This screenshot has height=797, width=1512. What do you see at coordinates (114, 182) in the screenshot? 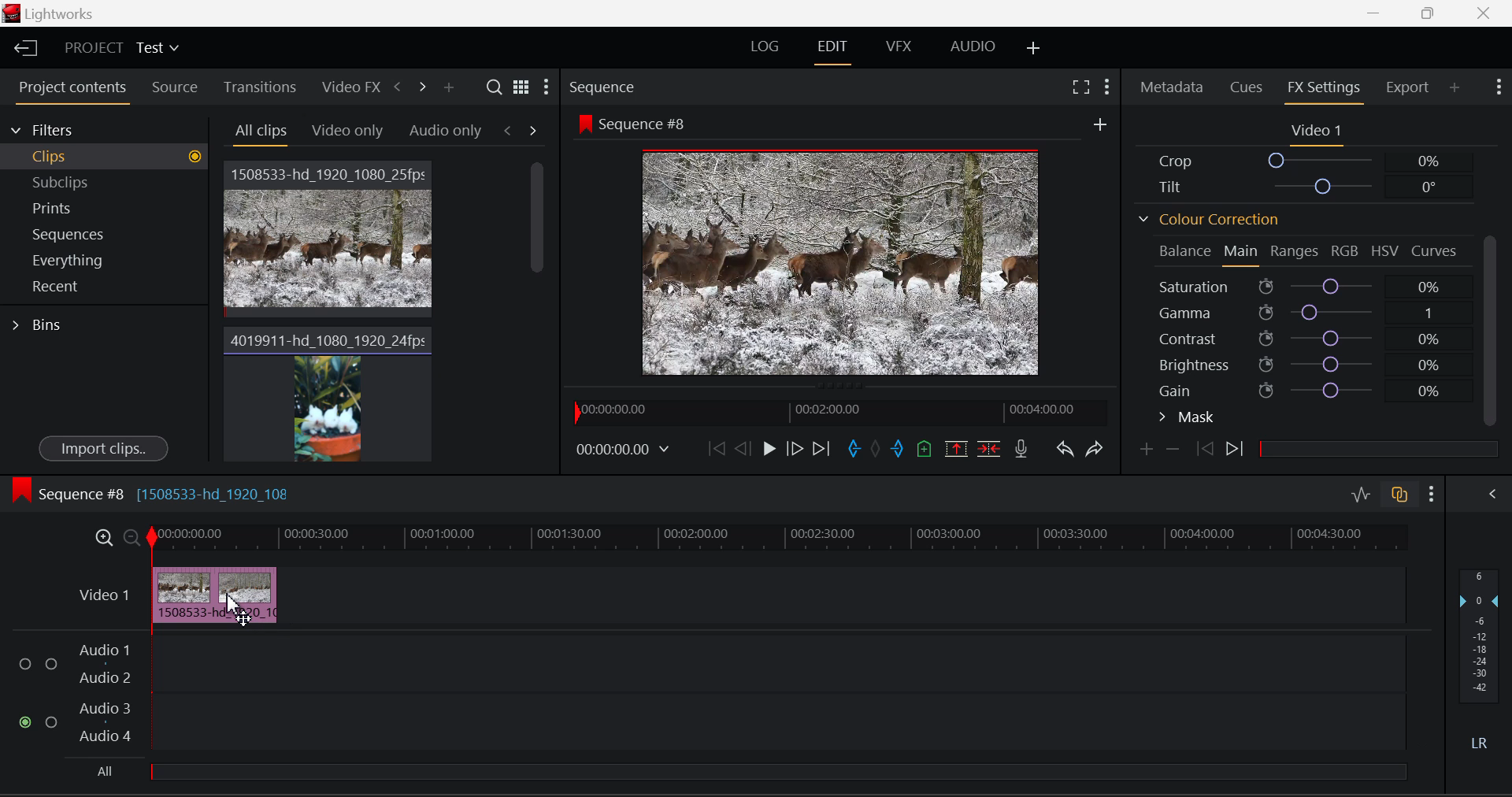
I see `Subclips` at bounding box center [114, 182].